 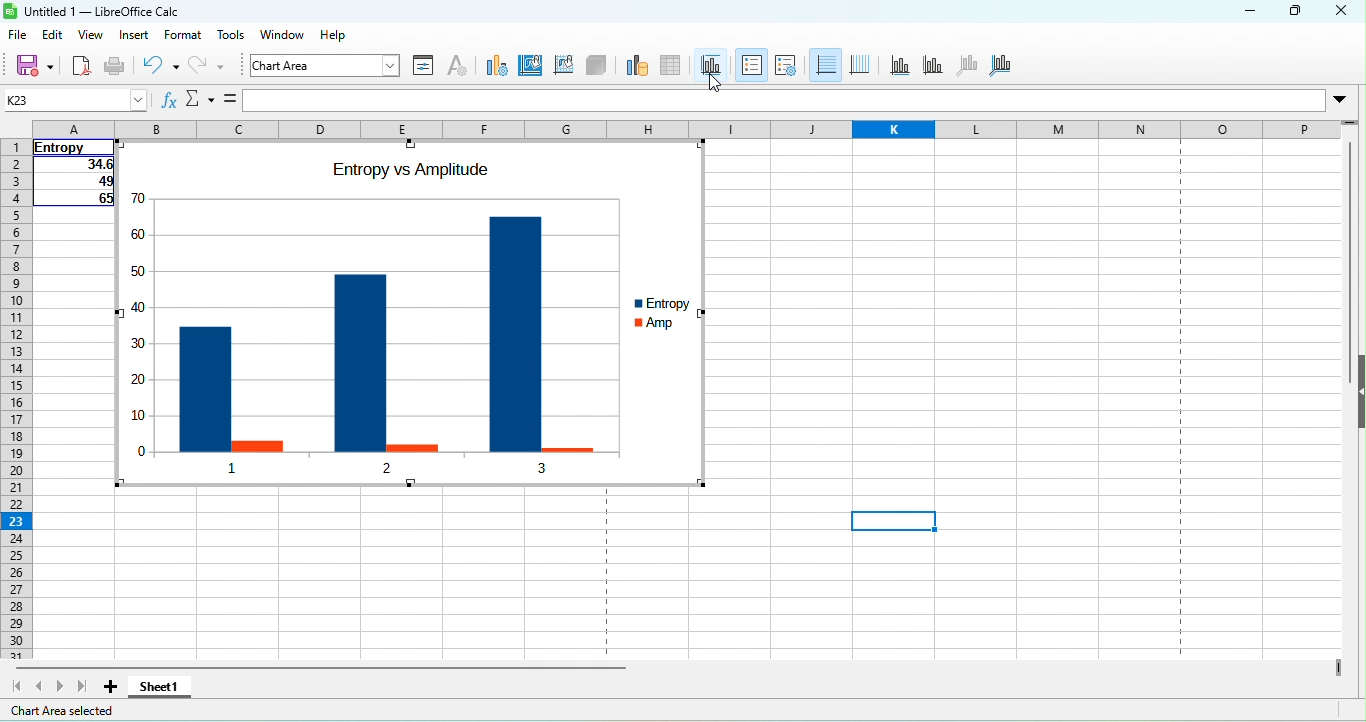 What do you see at coordinates (96, 13) in the screenshot?
I see `untitled 1- libre office cala` at bounding box center [96, 13].